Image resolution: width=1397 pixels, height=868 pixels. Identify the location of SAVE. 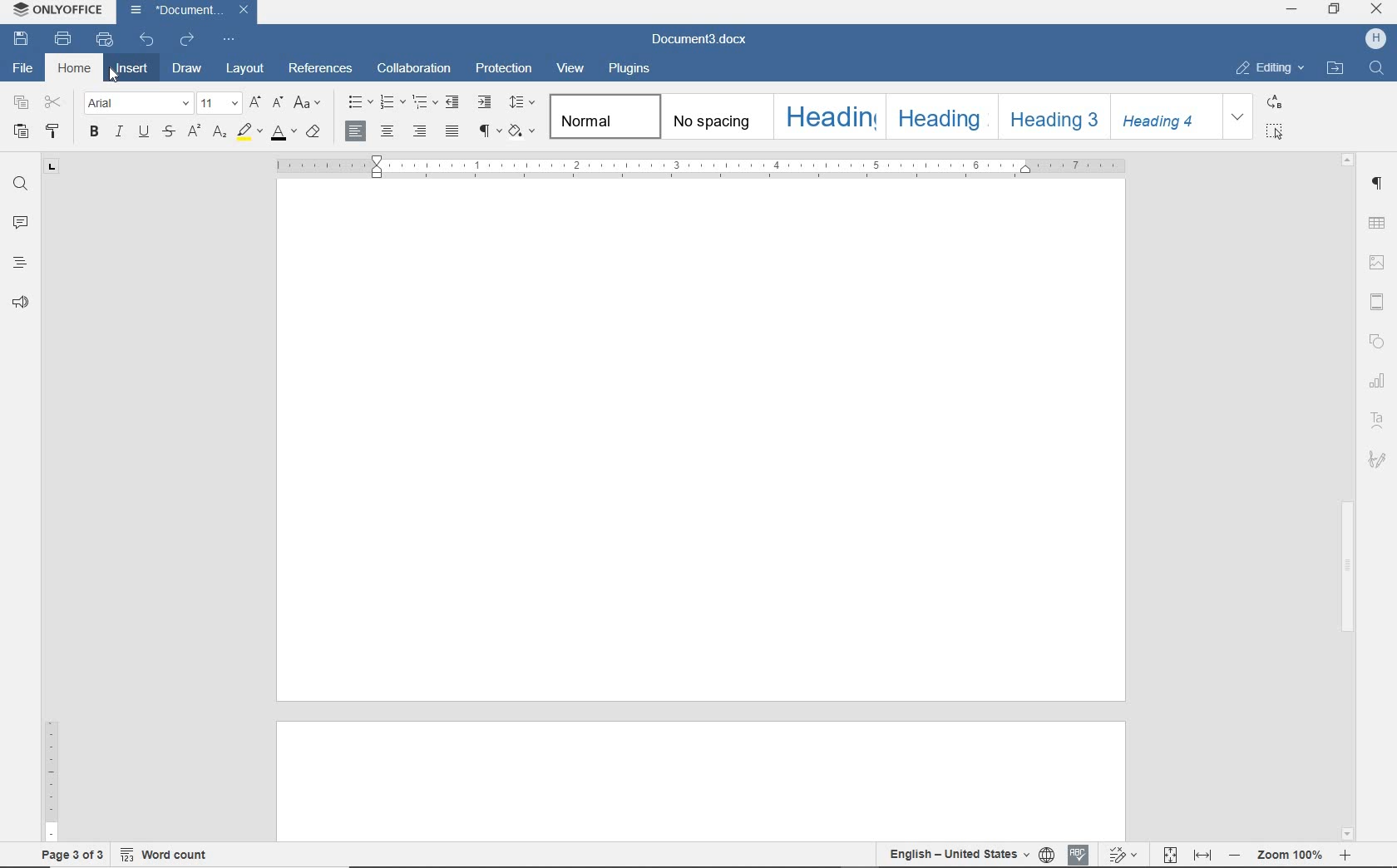
(23, 38).